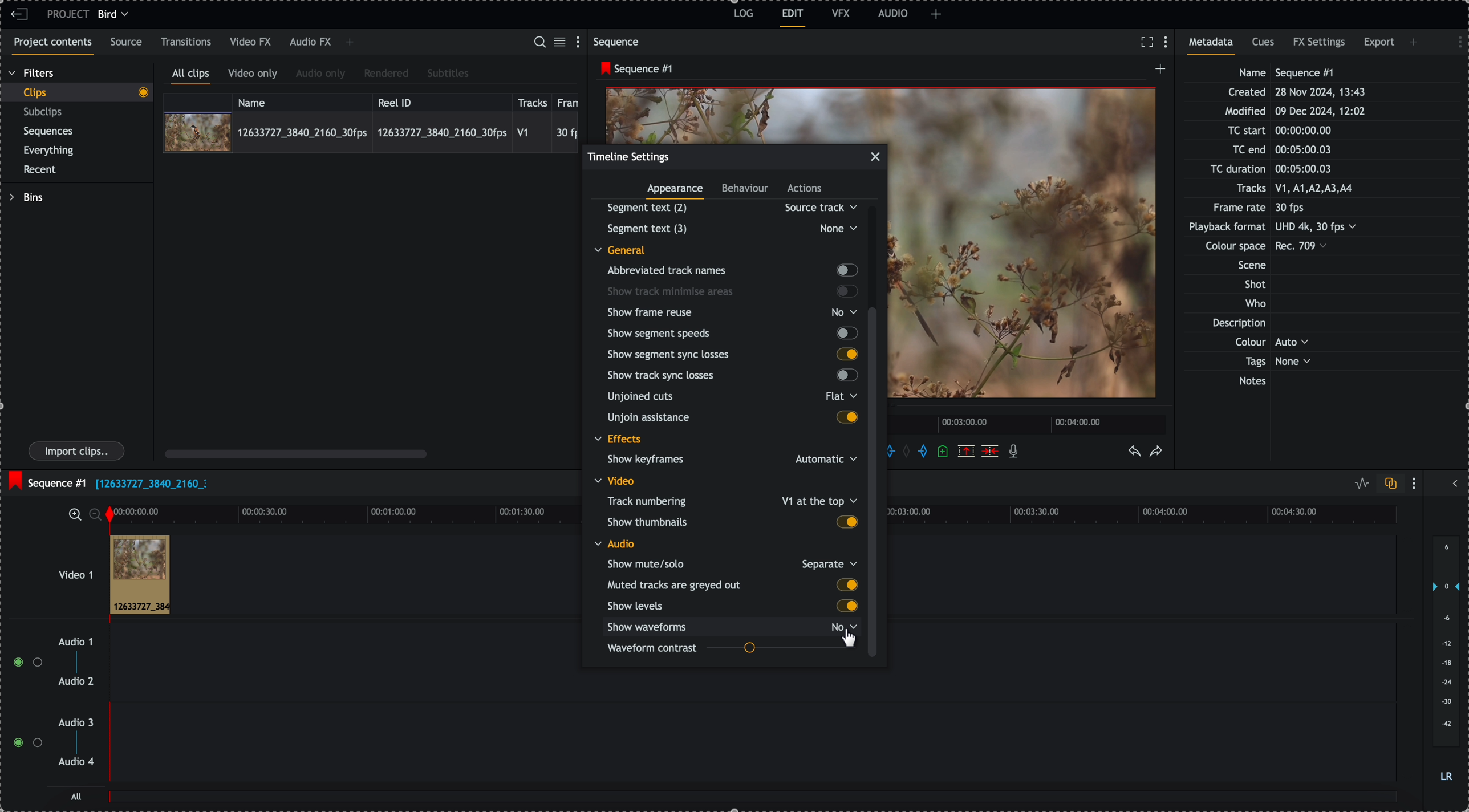  I want to click on timeline, so click(1029, 423).